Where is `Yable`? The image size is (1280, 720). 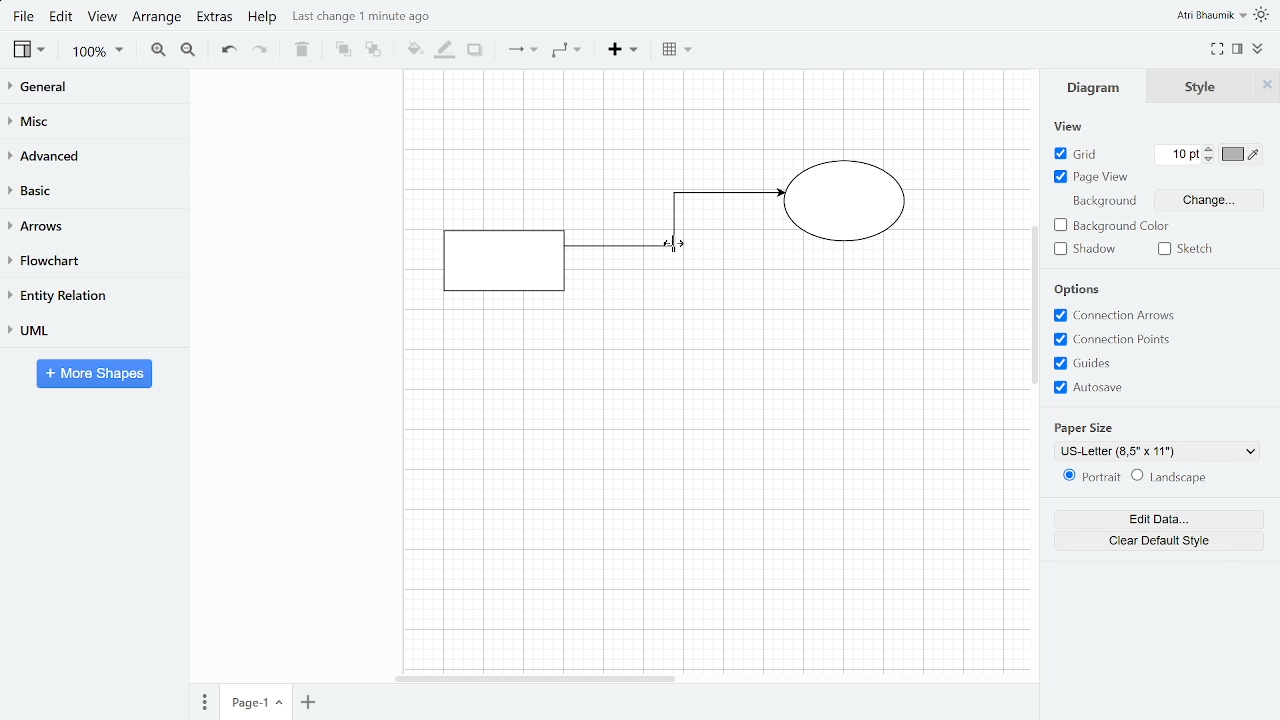 Yable is located at coordinates (676, 51).